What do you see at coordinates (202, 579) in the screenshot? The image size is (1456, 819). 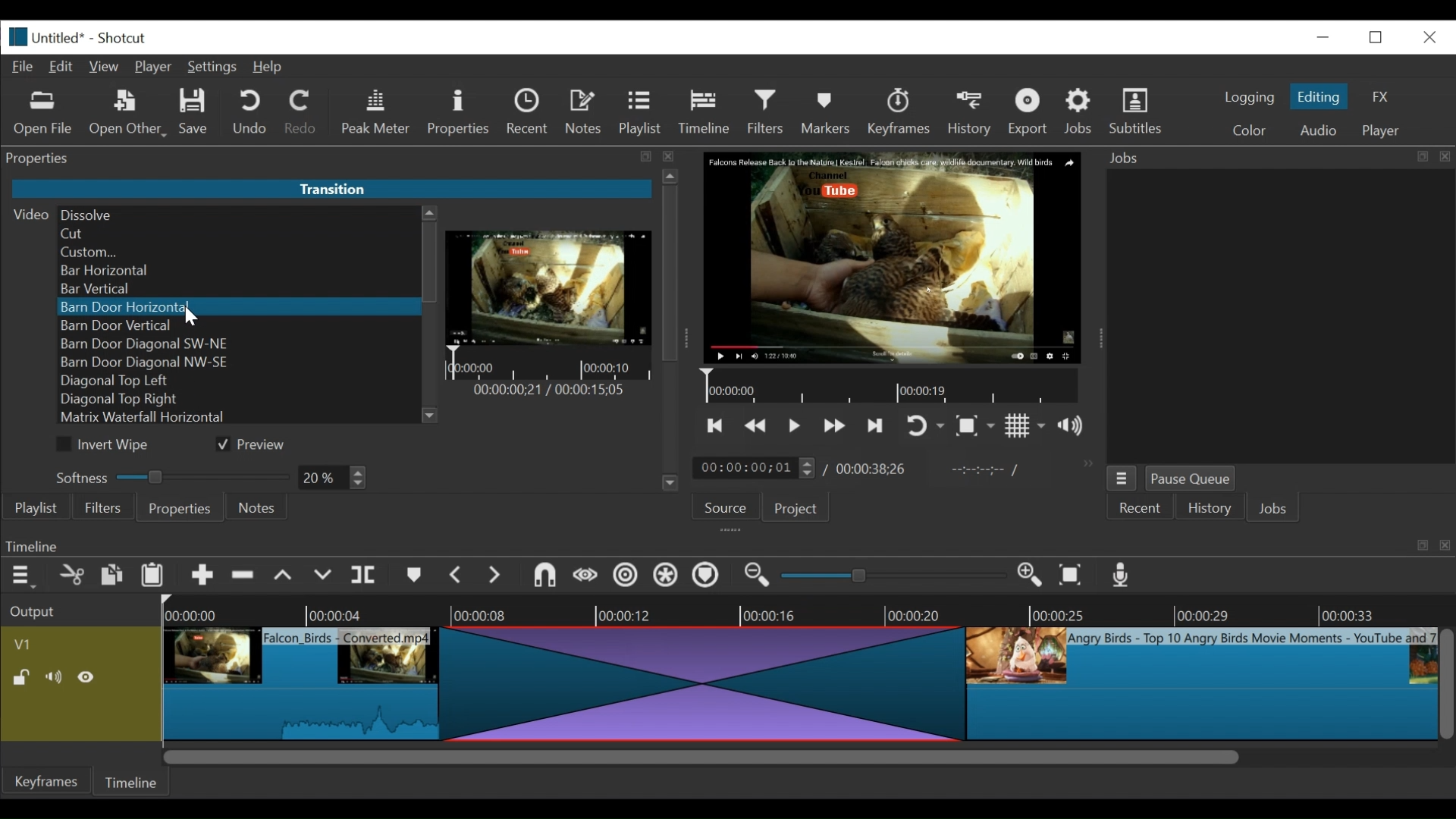 I see `Append` at bounding box center [202, 579].